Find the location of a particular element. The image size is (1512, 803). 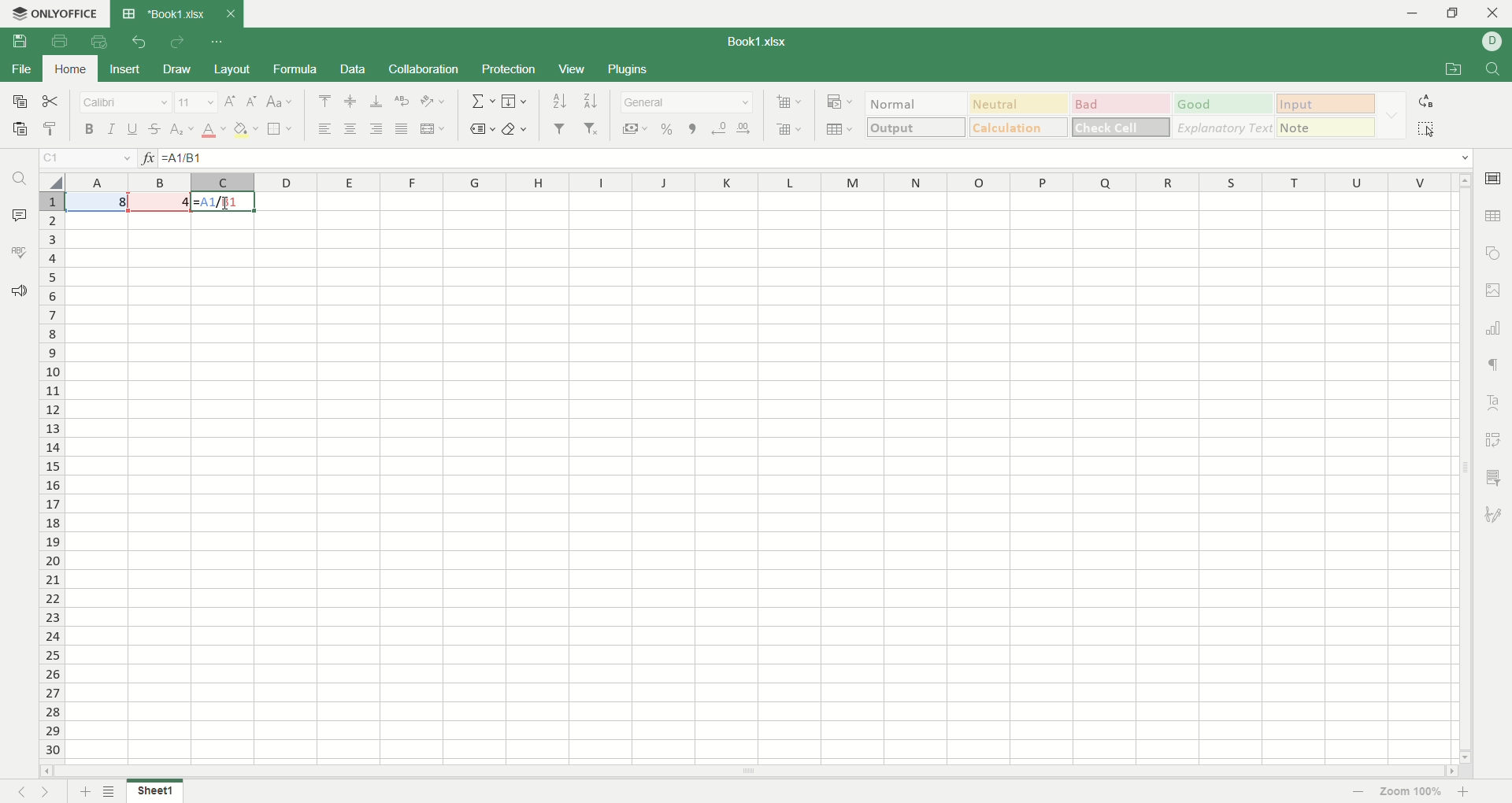

currency format is located at coordinates (633, 129).